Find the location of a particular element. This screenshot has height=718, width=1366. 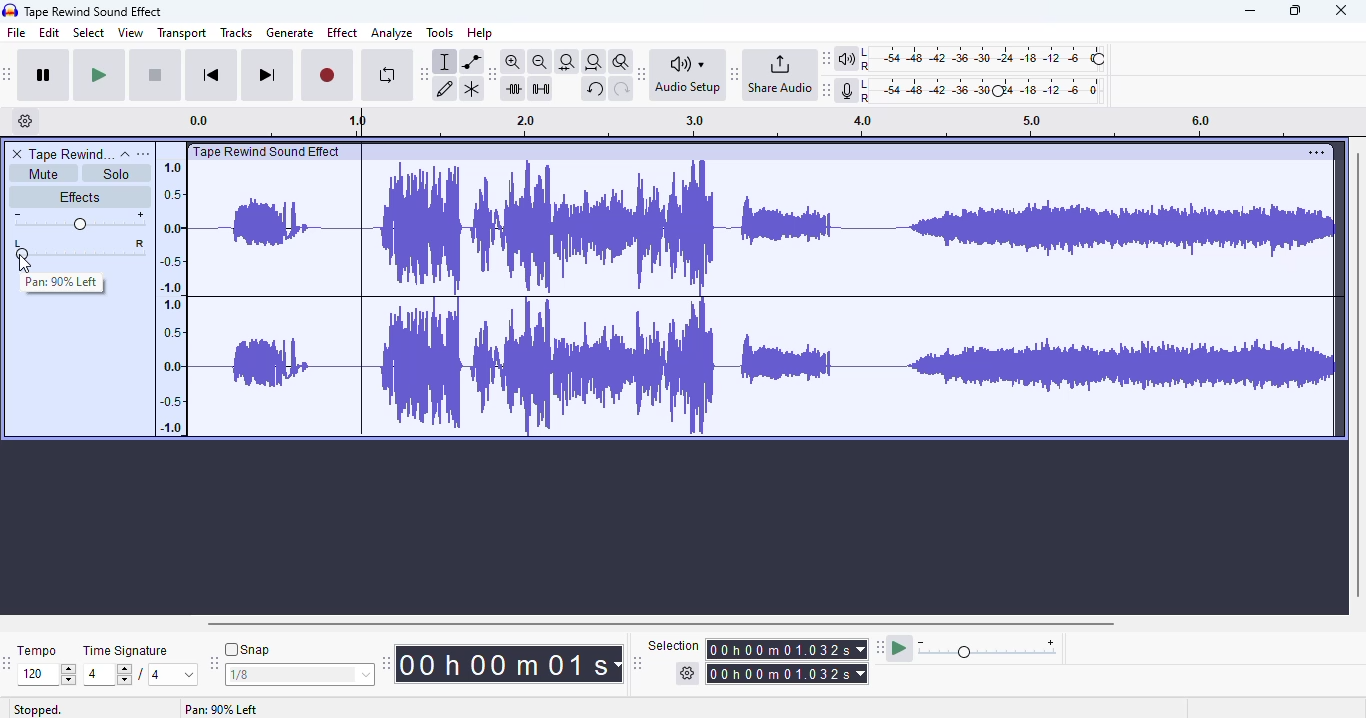

timeline is located at coordinates (170, 296).